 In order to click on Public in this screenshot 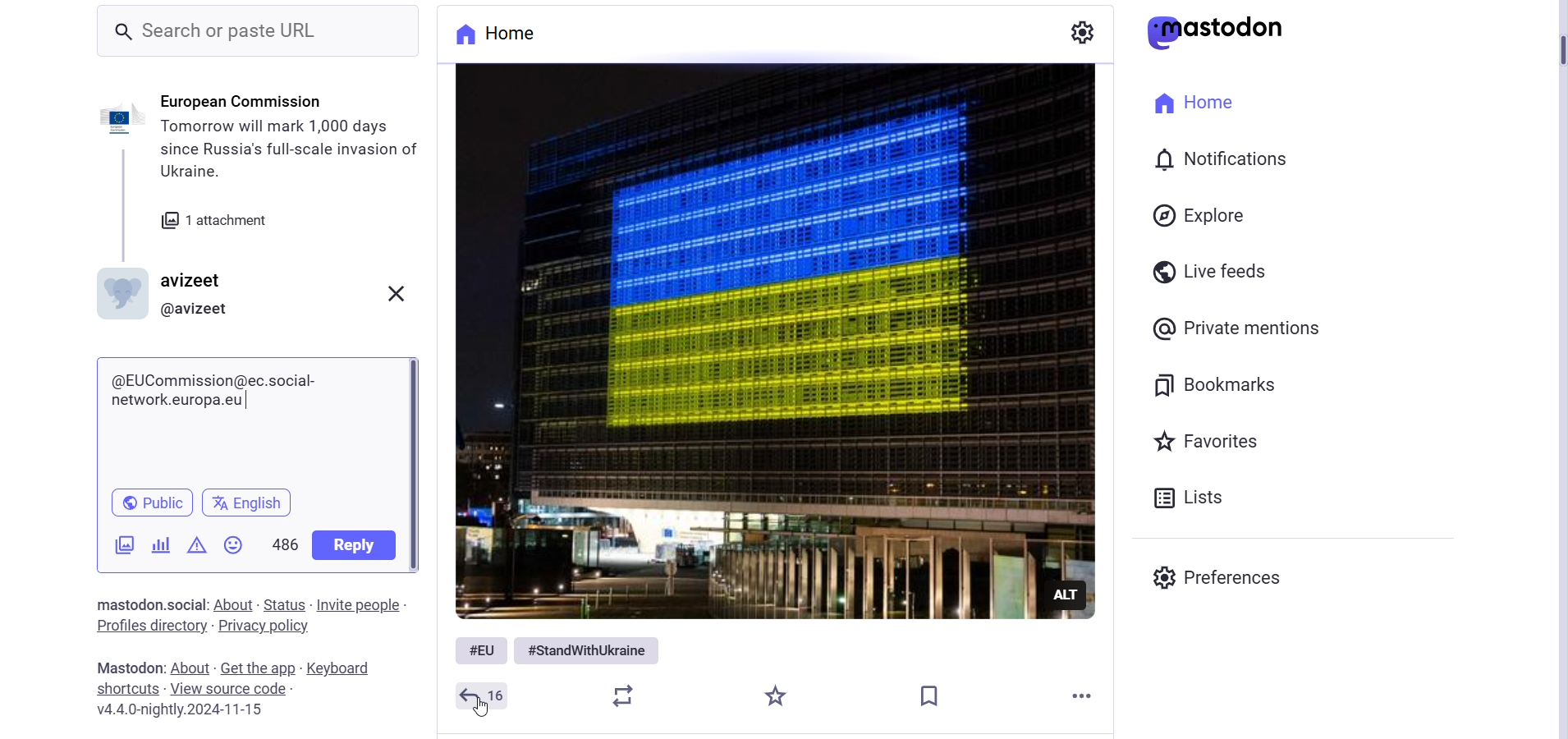, I will do `click(152, 501)`.